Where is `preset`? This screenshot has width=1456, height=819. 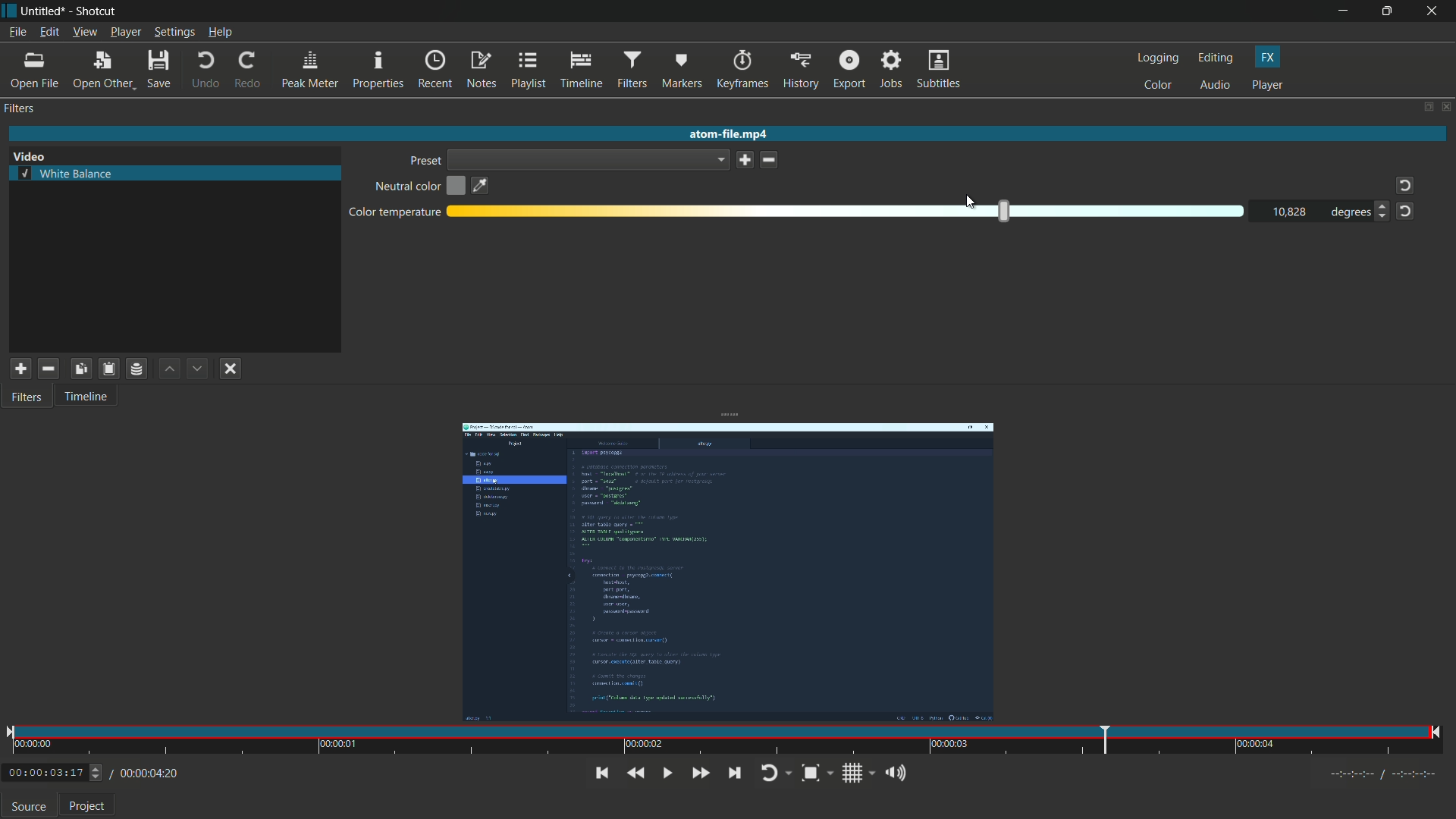 preset is located at coordinates (424, 161).